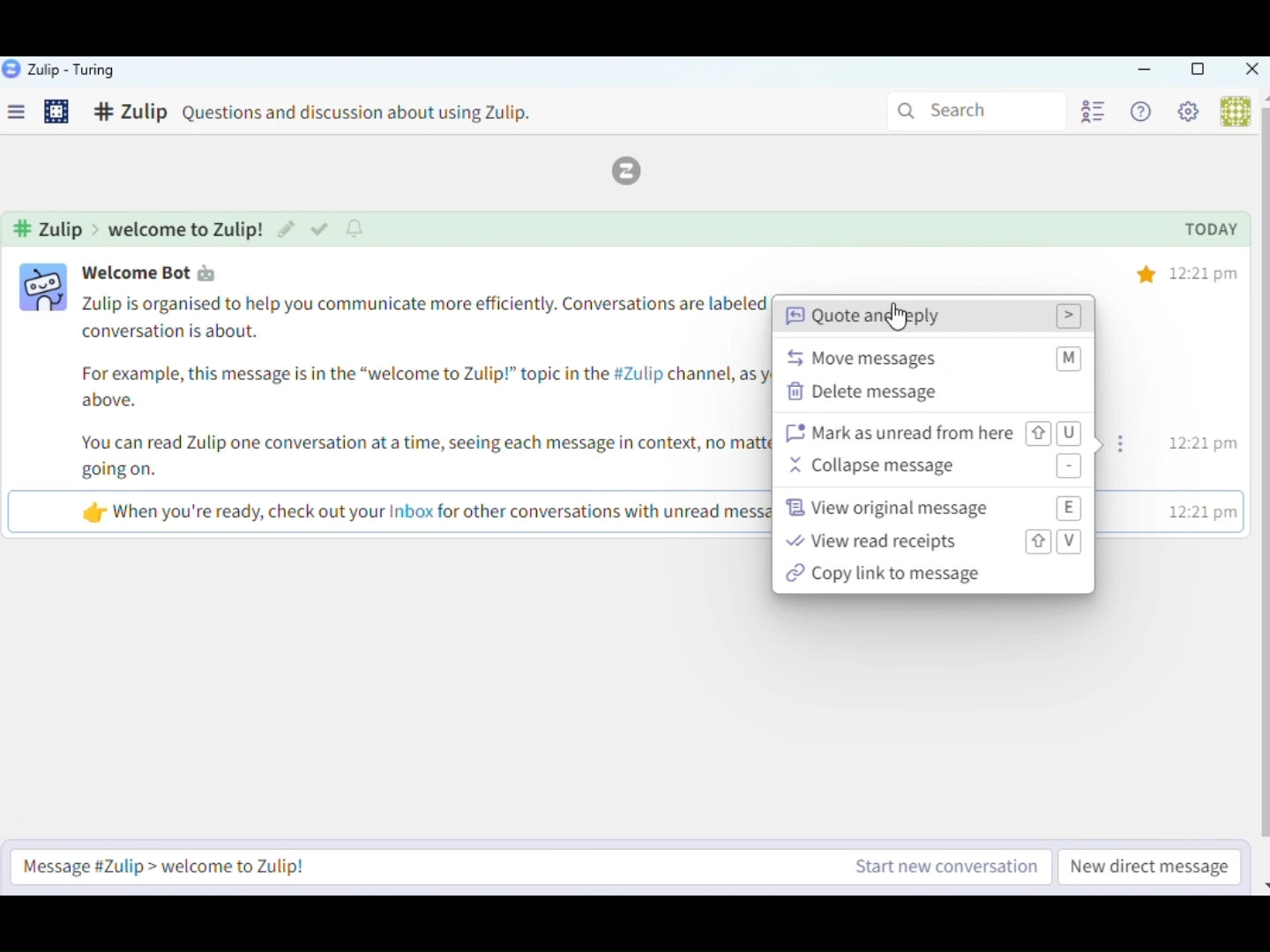  Describe the element at coordinates (1144, 113) in the screenshot. I see `Help` at that location.